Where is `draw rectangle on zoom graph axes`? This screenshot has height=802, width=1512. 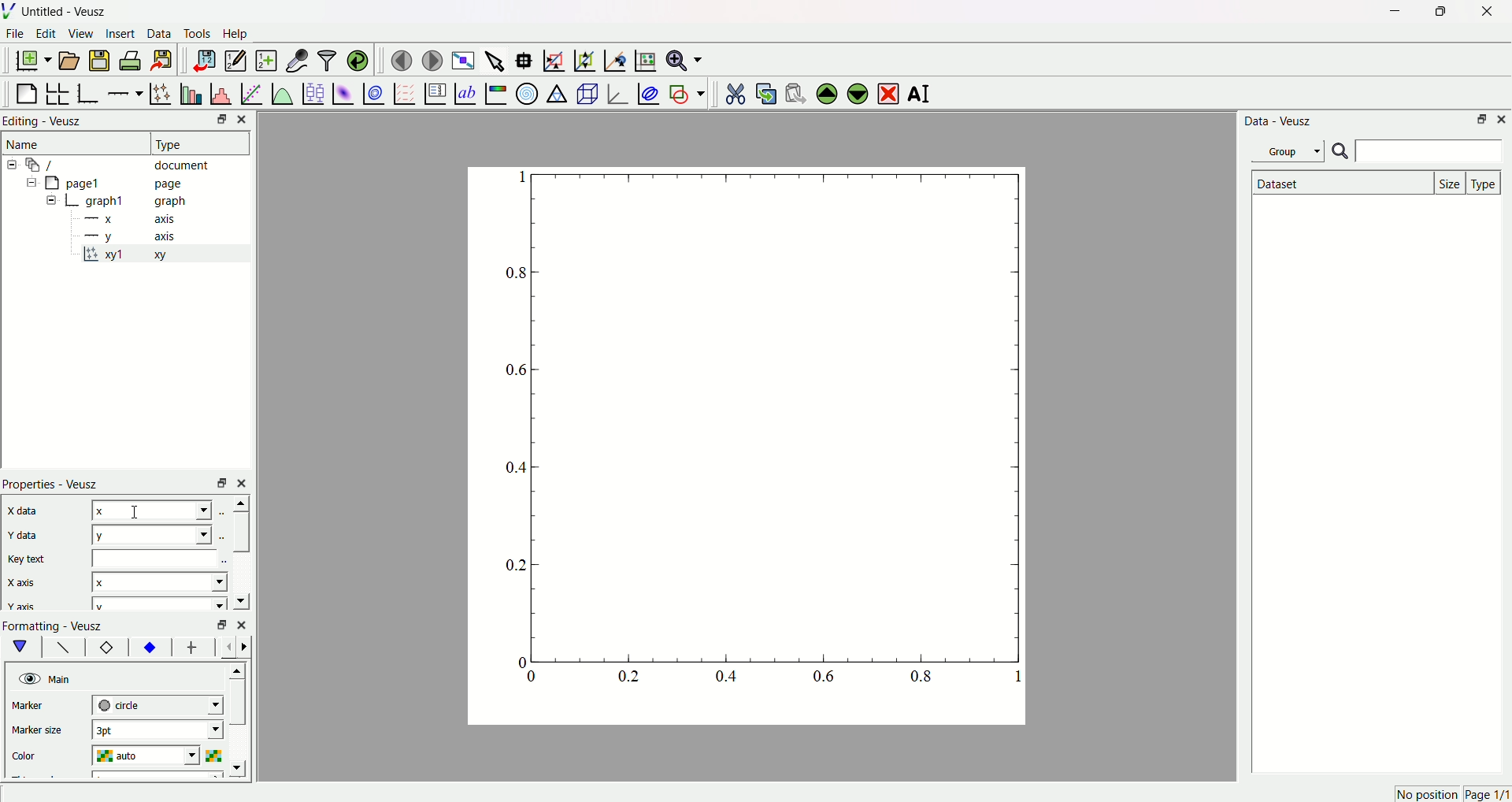 draw rectangle on zoom graph axes is located at coordinates (554, 58).